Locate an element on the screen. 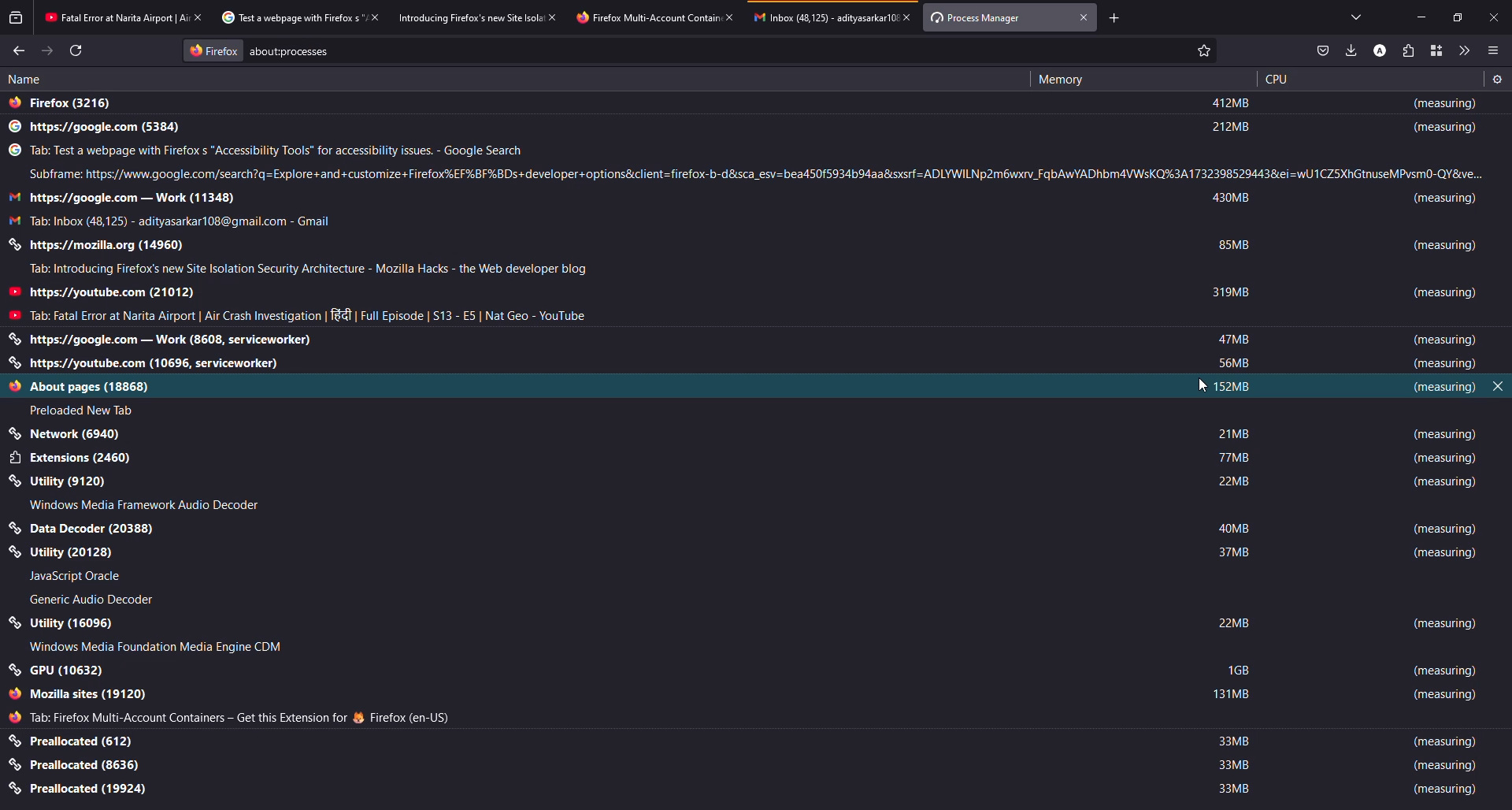 The width and height of the screenshot is (1512, 810). mozilla sites (19120) is located at coordinates (82, 694).